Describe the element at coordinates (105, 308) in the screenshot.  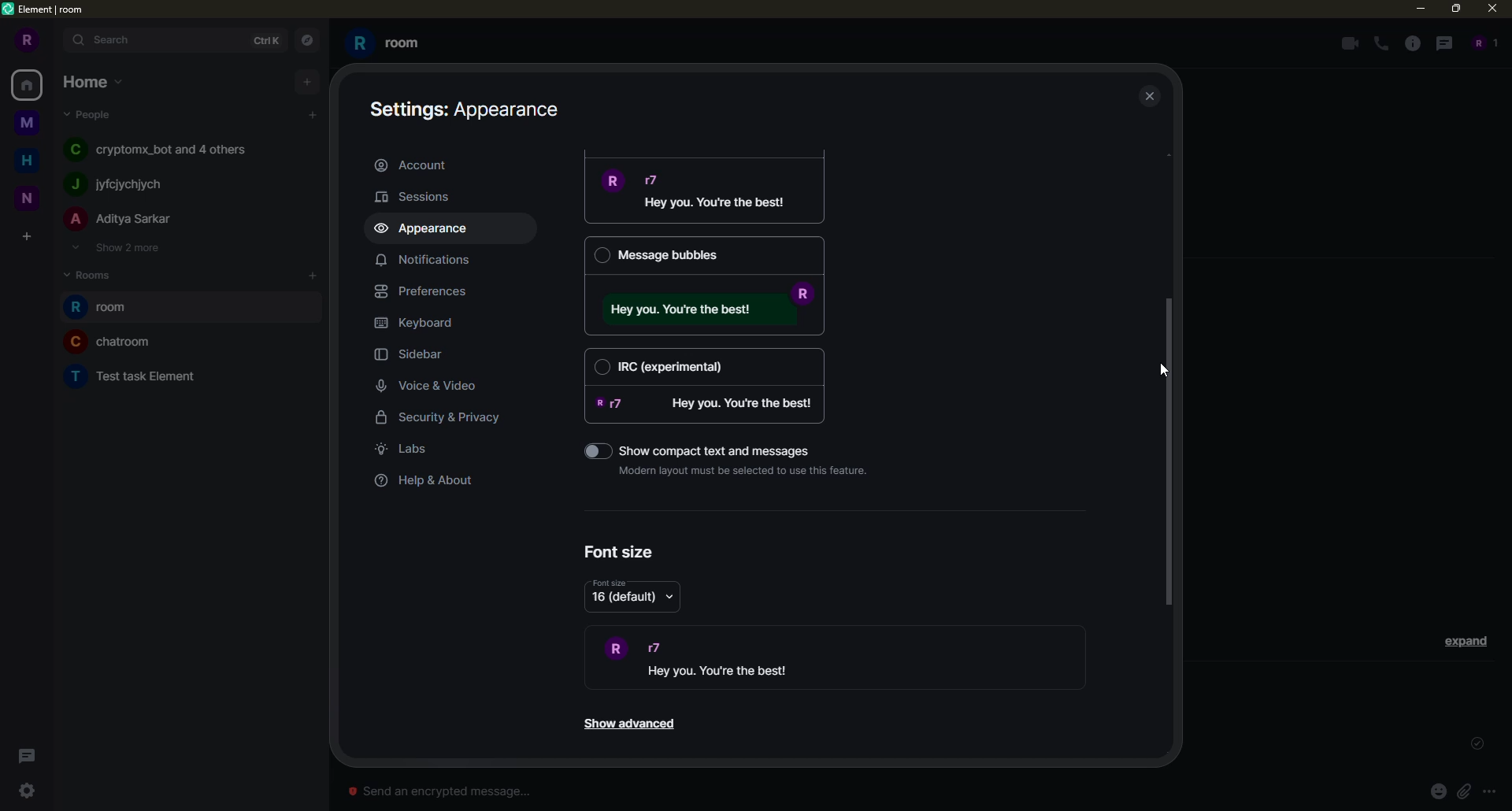
I see `room` at that location.